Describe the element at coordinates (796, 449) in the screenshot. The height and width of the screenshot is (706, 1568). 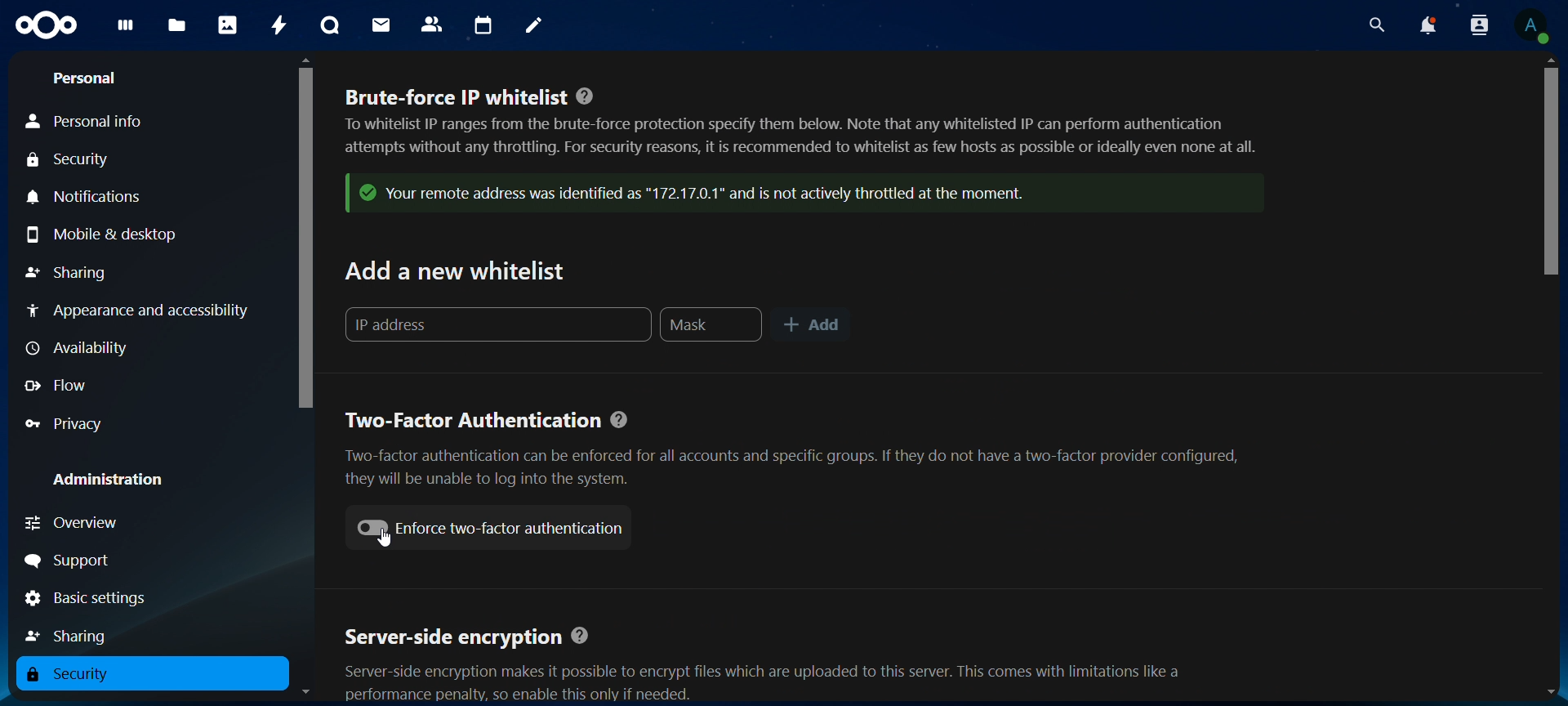
I see `Two factor authentication` at that location.